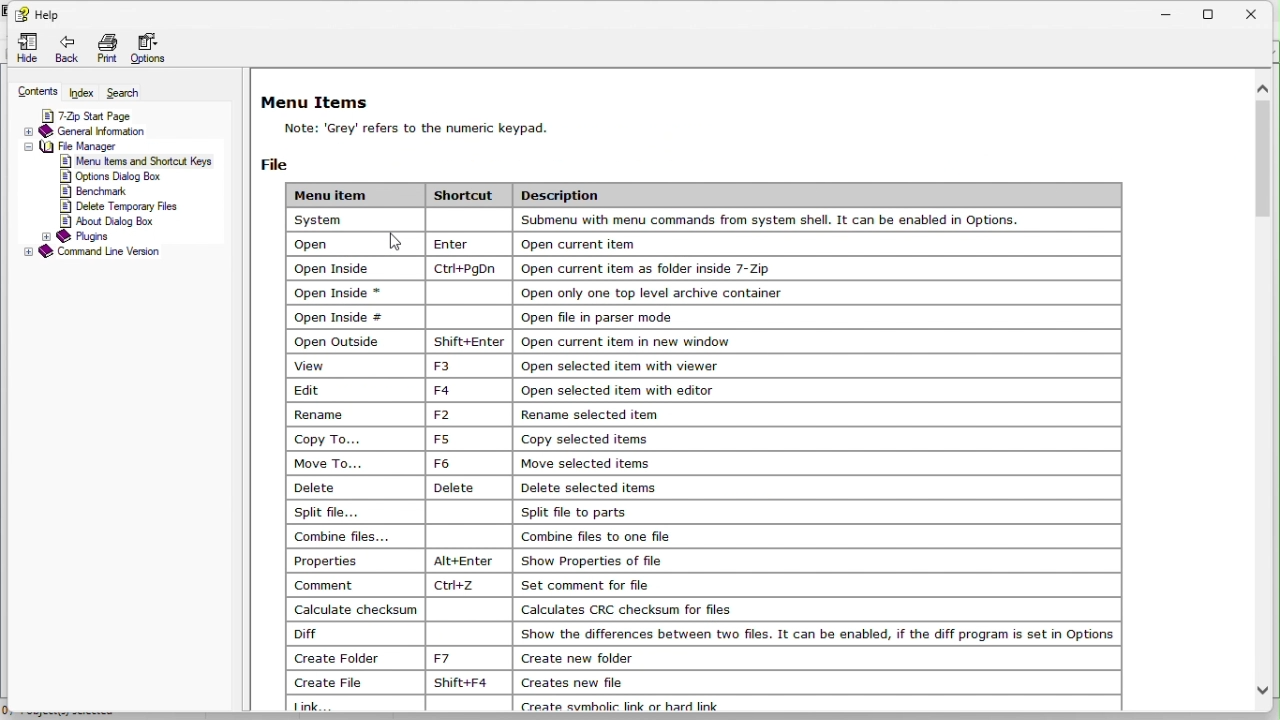 The image size is (1280, 720). I want to click on options dialog box, so click(119, 178).